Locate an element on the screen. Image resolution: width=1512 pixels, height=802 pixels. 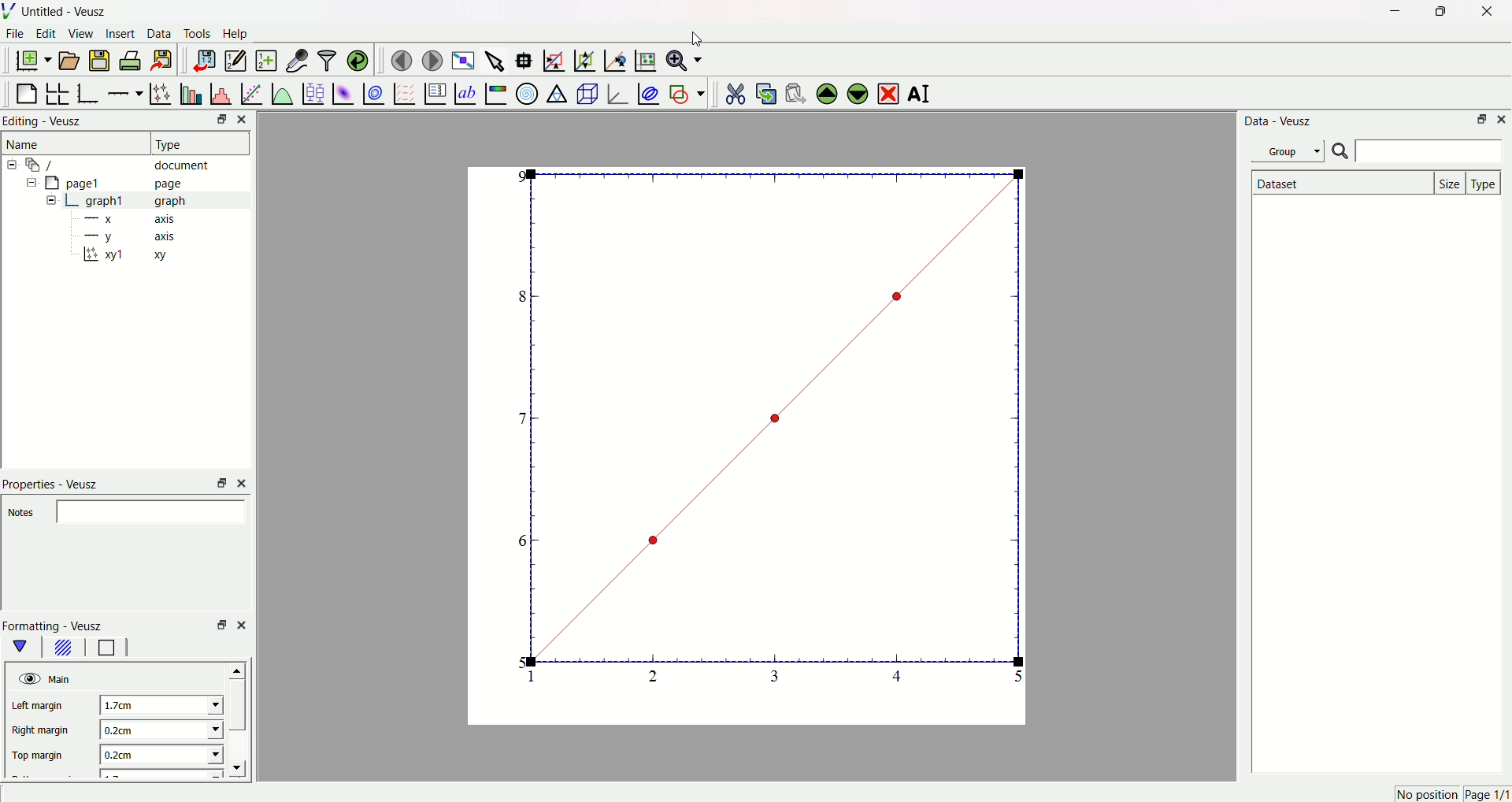
enter notes field is located at coordinates (154, 511).